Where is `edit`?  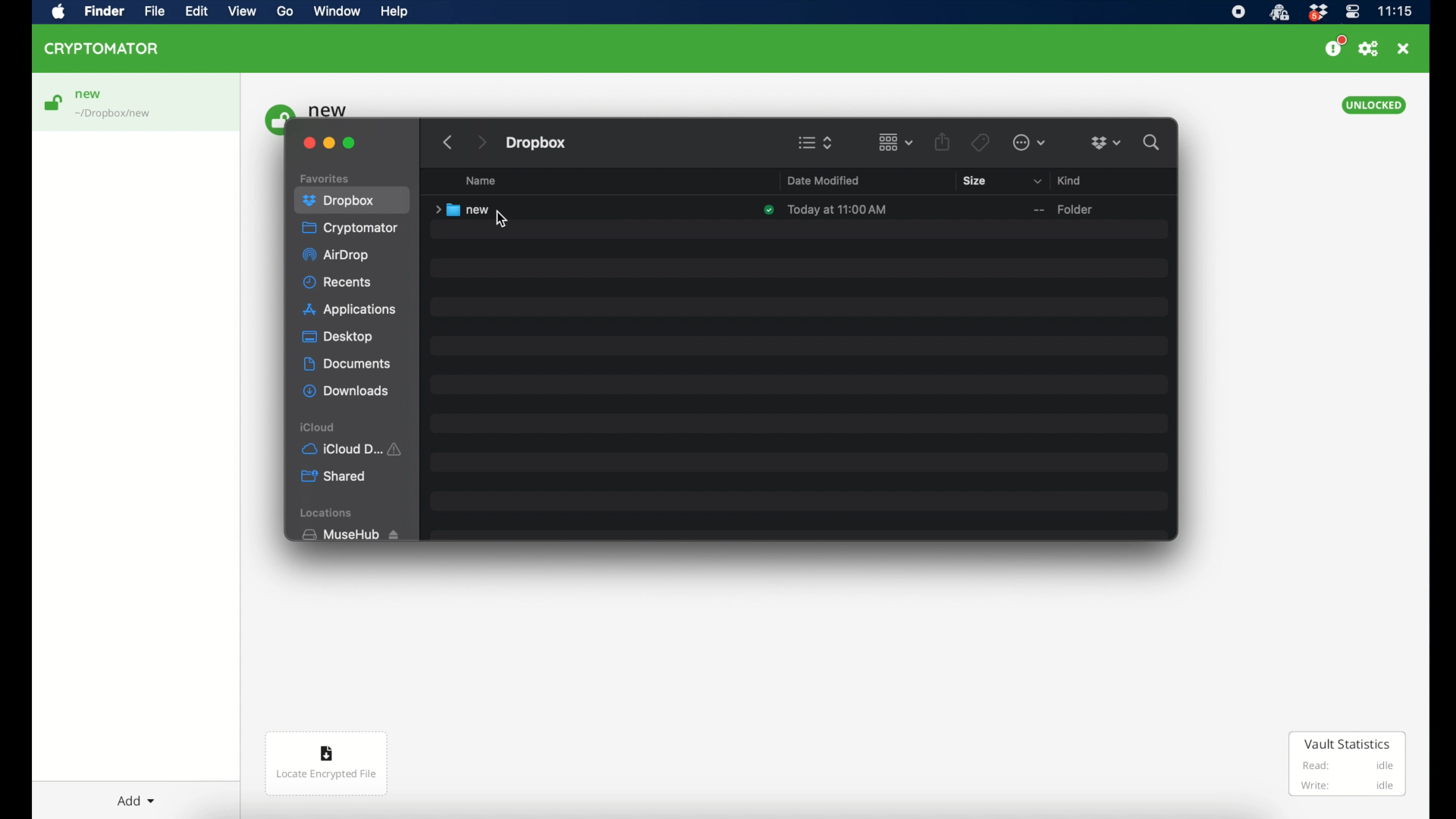
edit is located at coordinates (196, 11).